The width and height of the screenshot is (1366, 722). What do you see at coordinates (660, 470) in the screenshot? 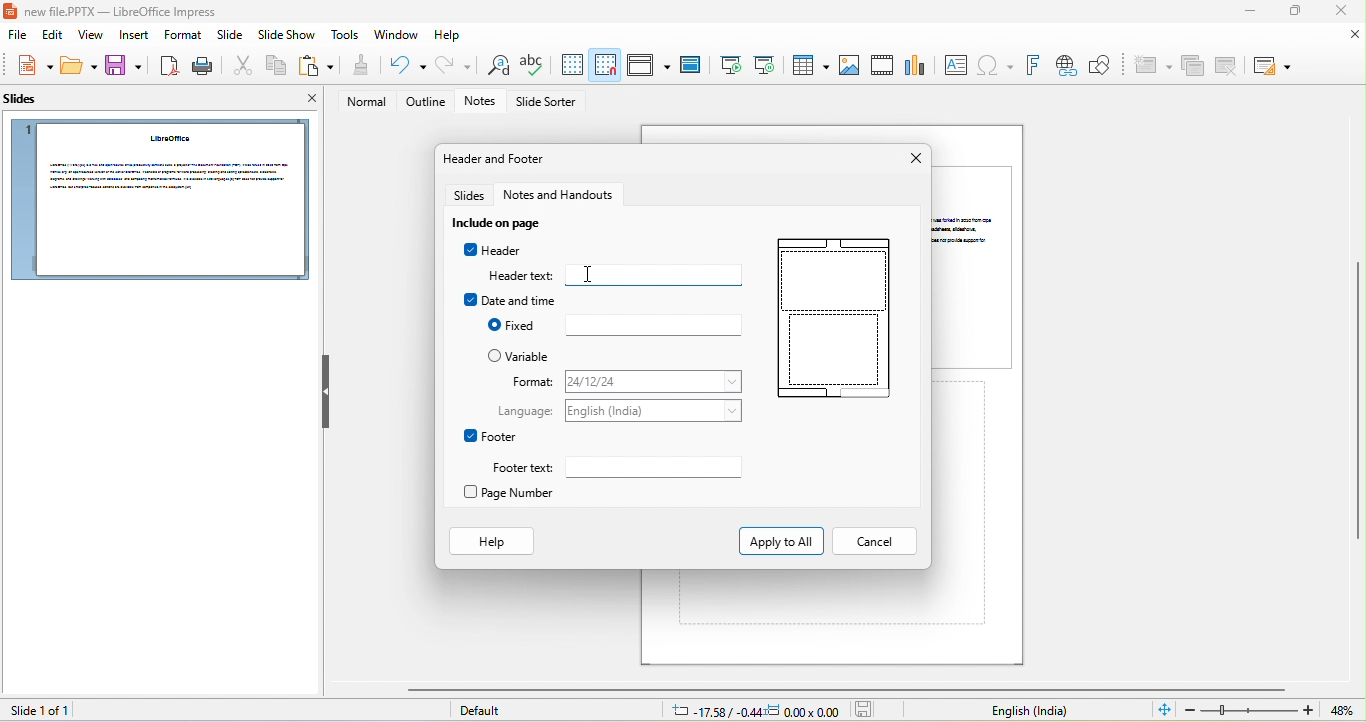
I see `footer text` at bounding box center [660, 470].